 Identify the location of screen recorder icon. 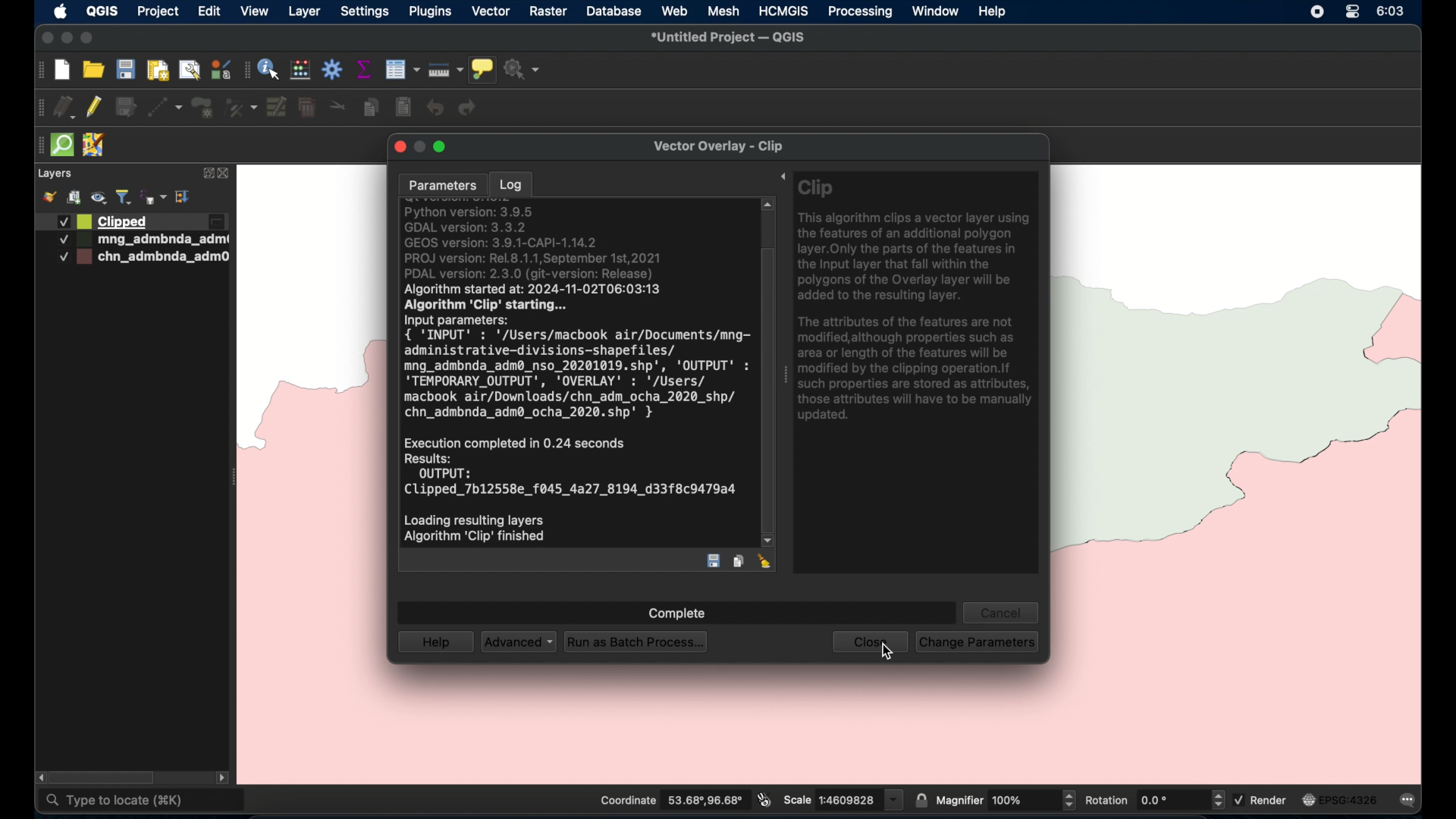
(1316, 11).